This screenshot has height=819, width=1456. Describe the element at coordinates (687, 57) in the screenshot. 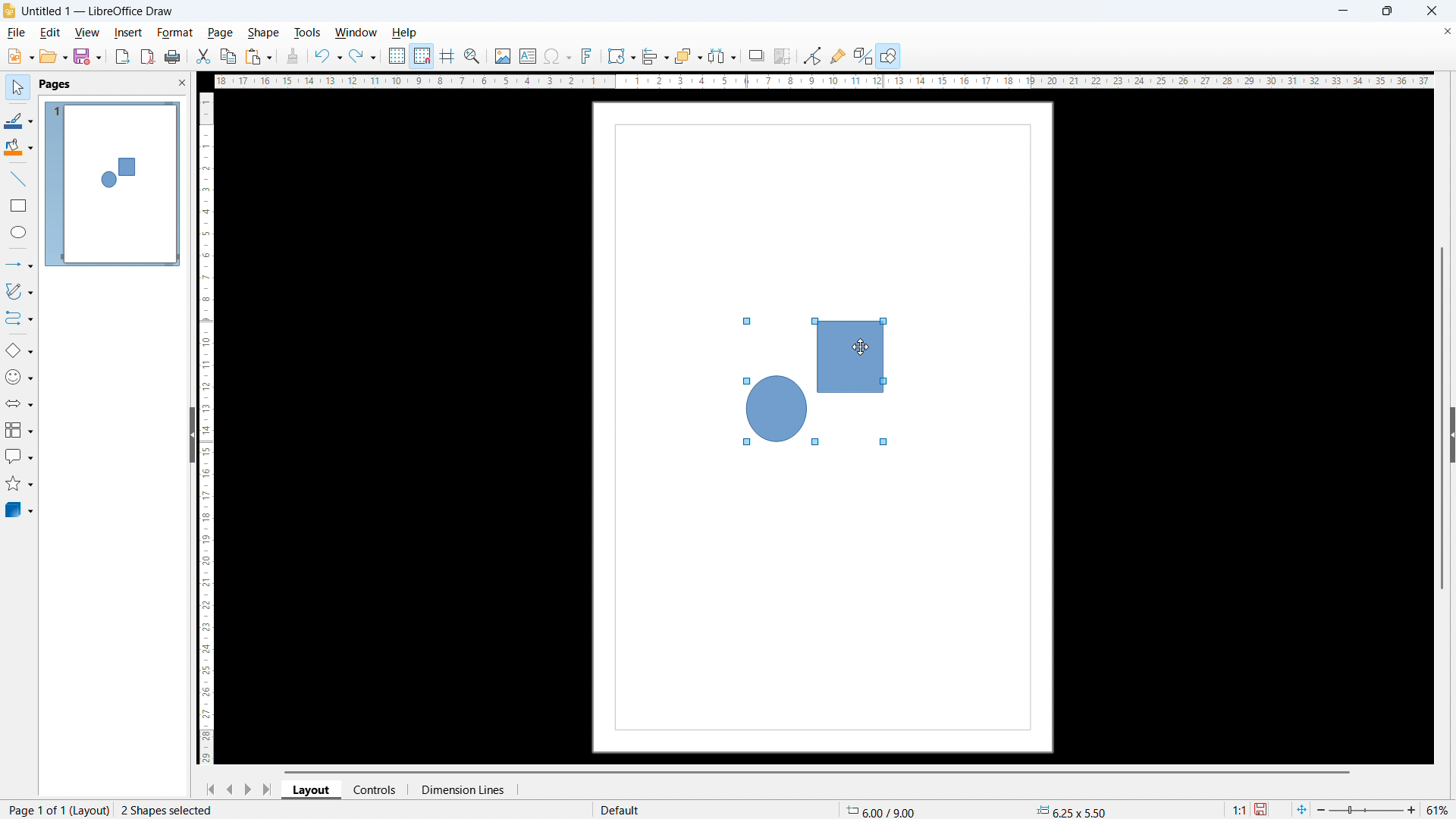

I see `arrange` at that location.